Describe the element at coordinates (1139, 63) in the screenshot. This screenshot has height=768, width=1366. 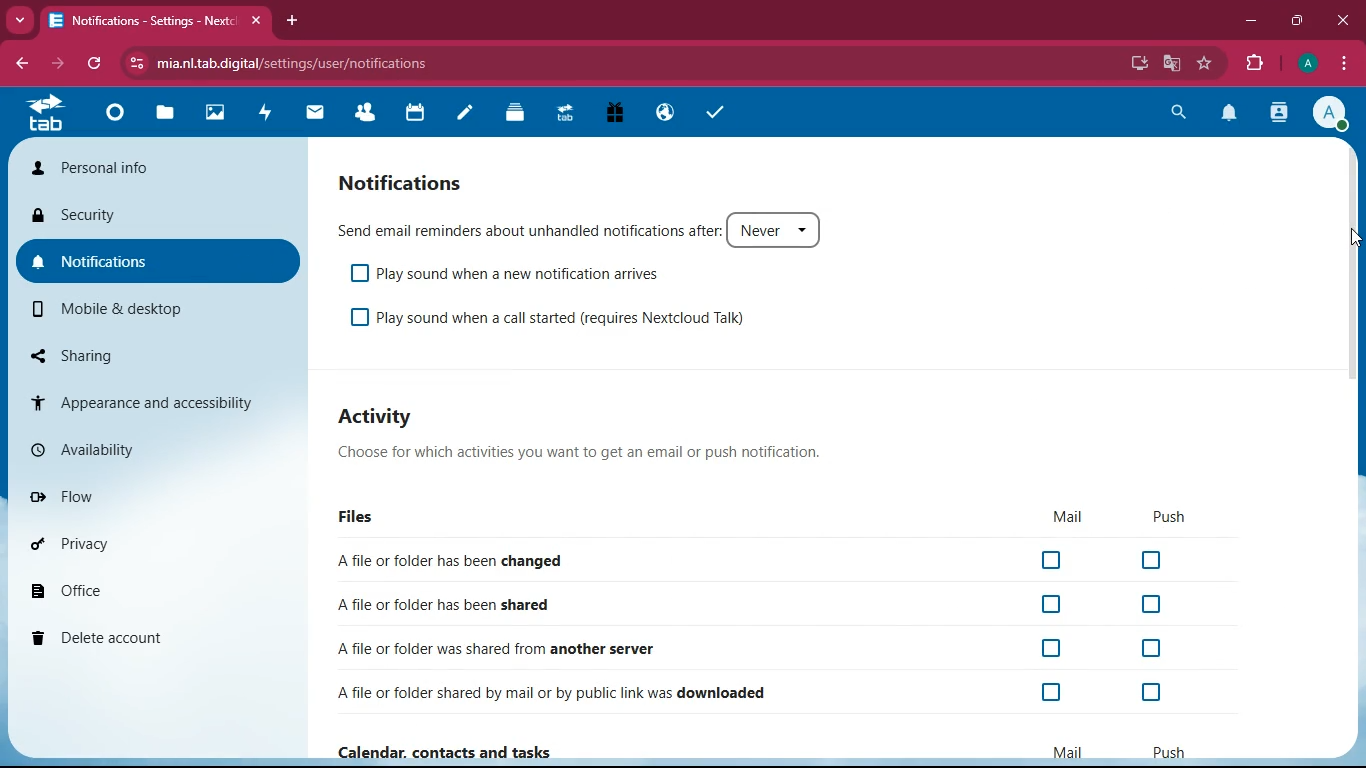
I see `install app` at that location.